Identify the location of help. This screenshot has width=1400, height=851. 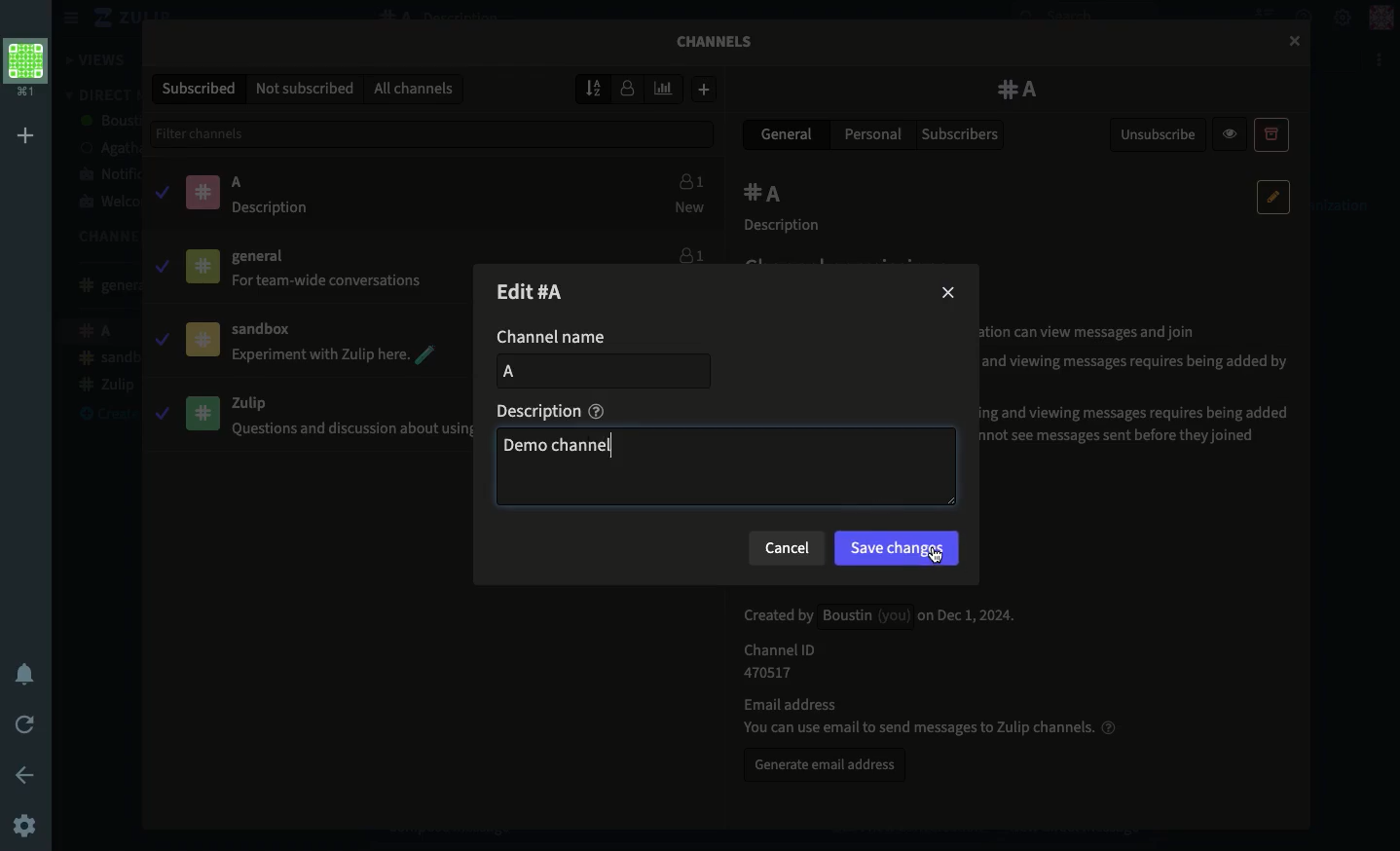
(1109, 726).